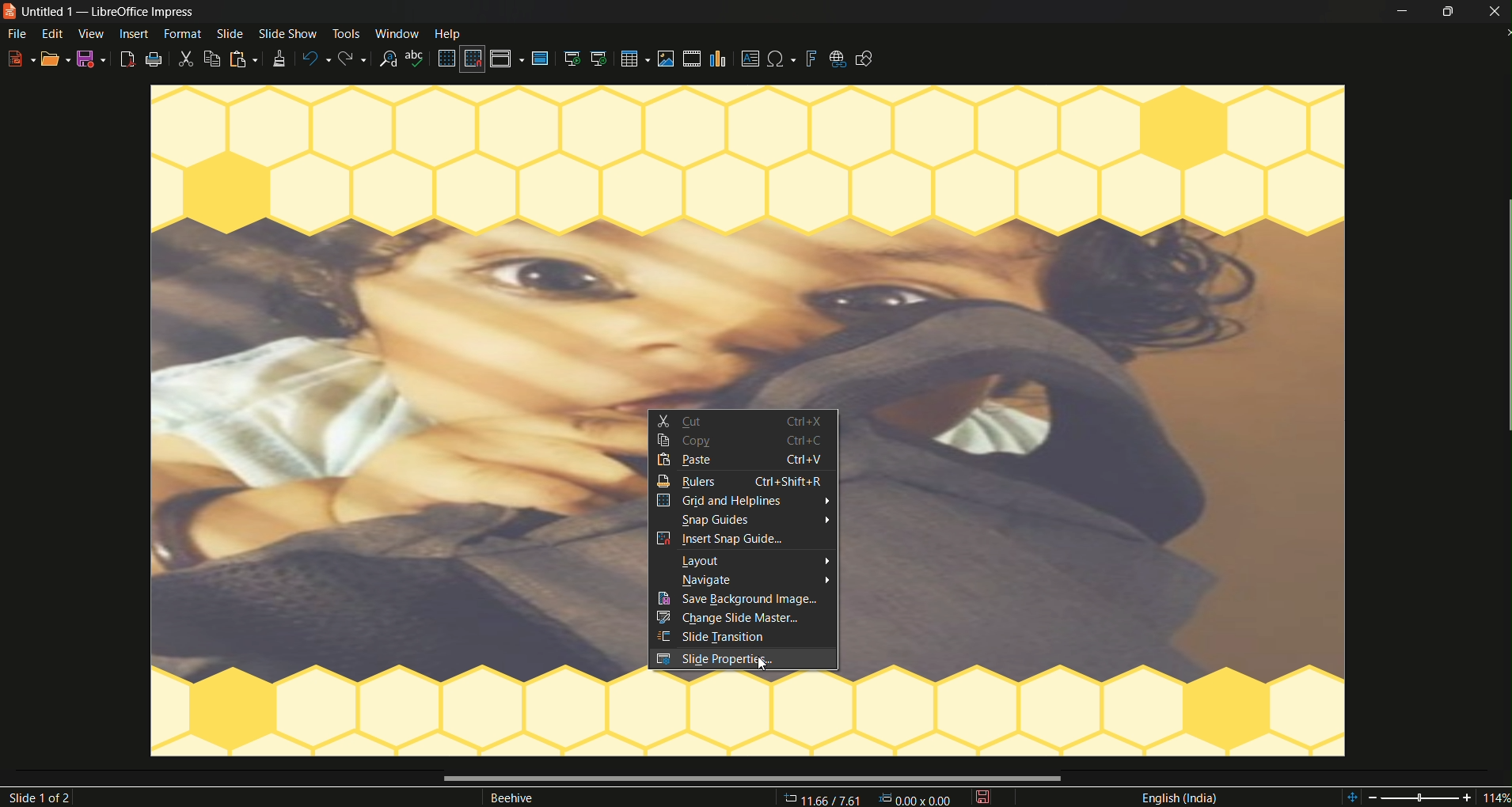 This screenshot has height=807, width=1512. What do you see at coordinates (803, 419) in the screenshot?
I see `ctrl+X` at bounding box center [803, 419].